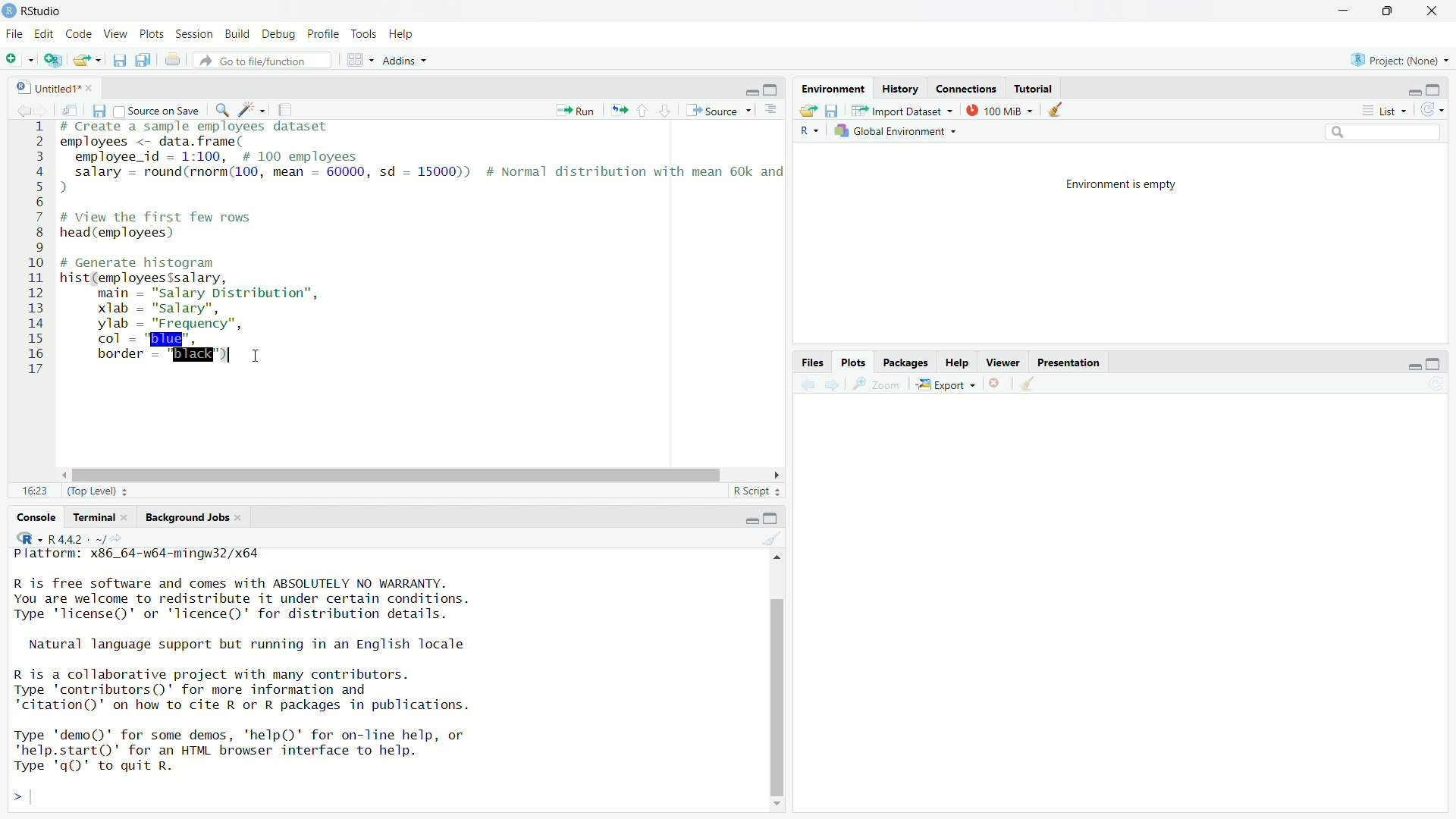  I want to click on Export, so click(945, 384).